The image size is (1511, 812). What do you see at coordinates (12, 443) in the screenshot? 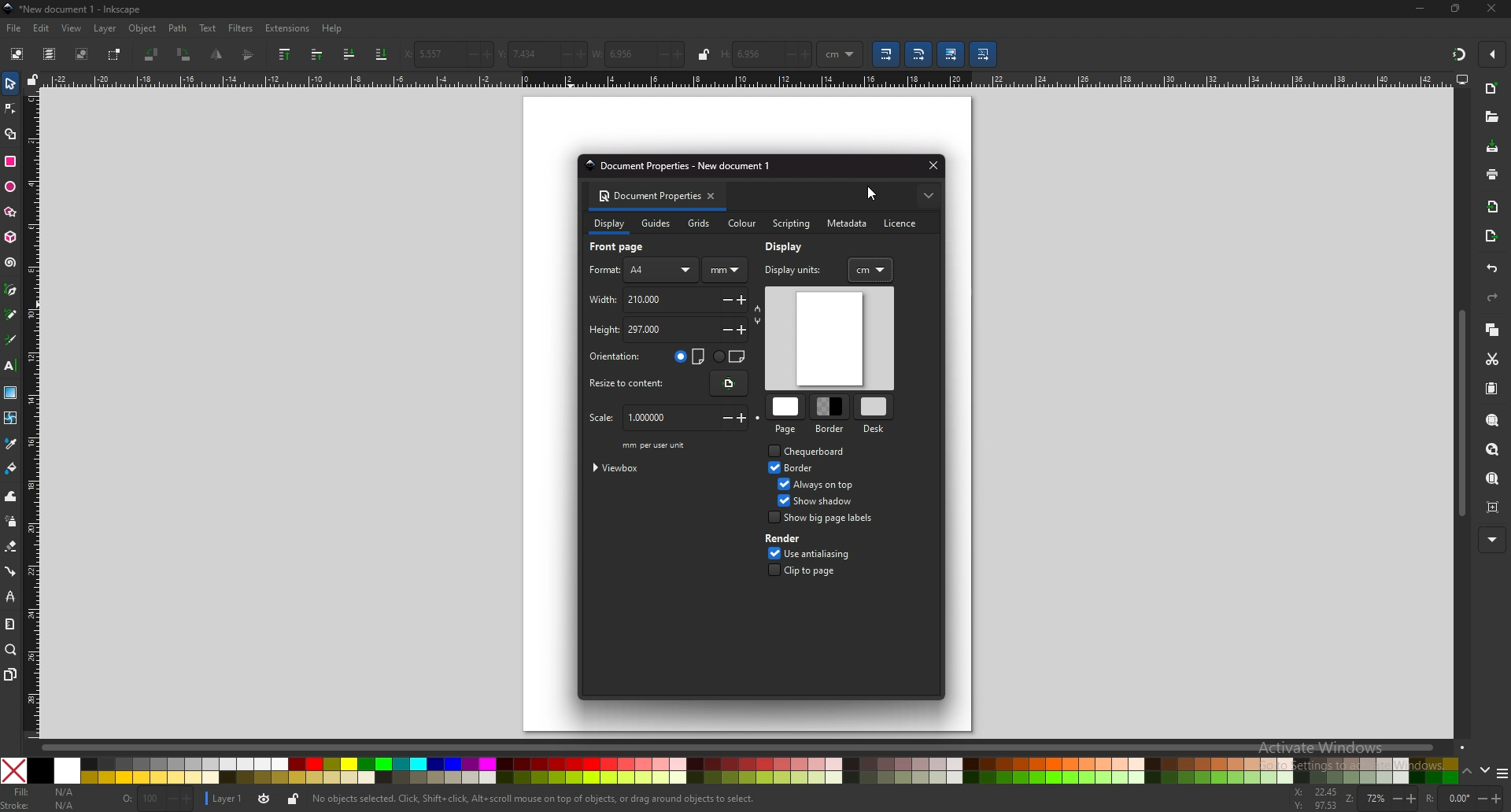
I see `dropper` at bounding box center [12, 443].